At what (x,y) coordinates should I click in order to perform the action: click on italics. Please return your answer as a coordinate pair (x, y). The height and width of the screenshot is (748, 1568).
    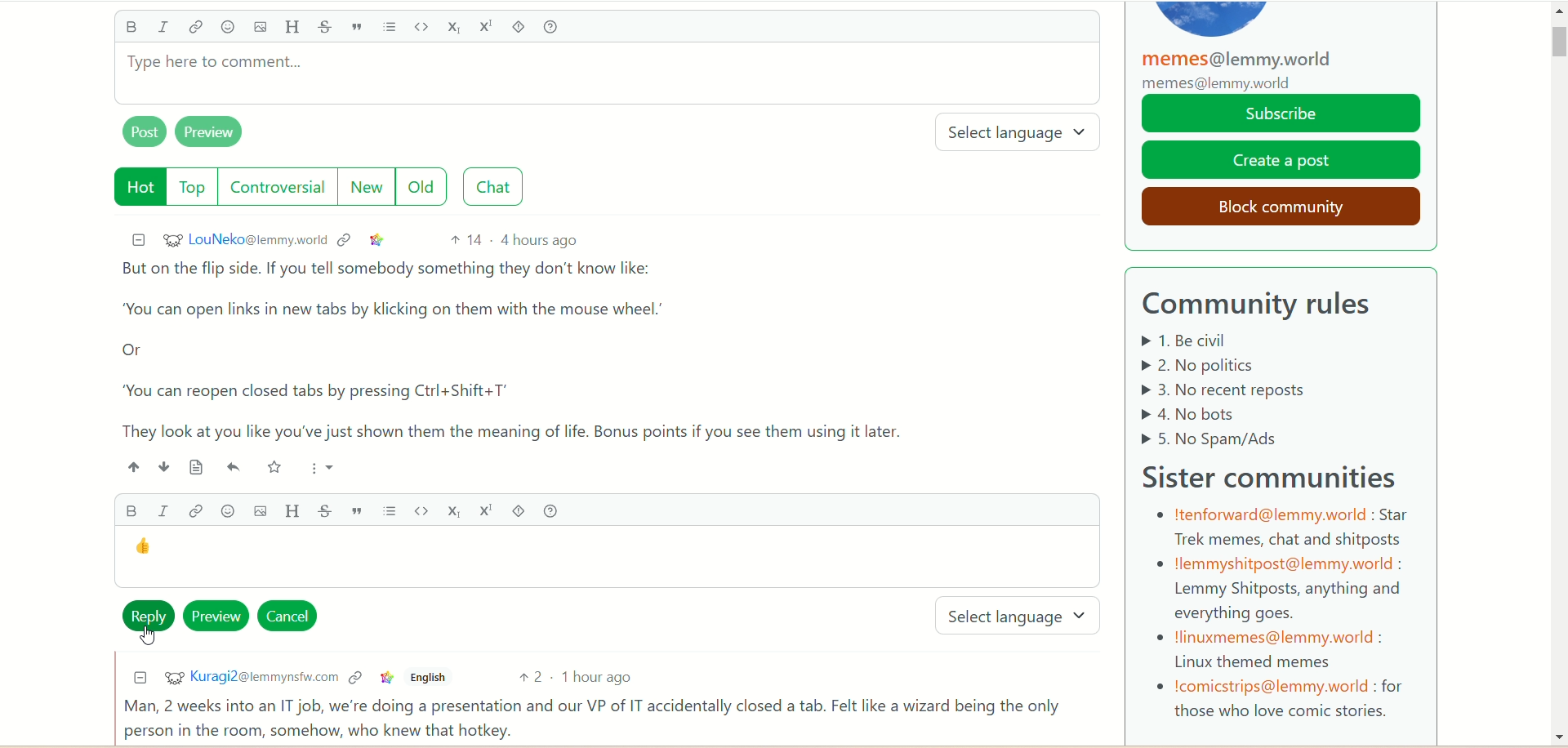
    Looking at the image, I should click on (167, 28).